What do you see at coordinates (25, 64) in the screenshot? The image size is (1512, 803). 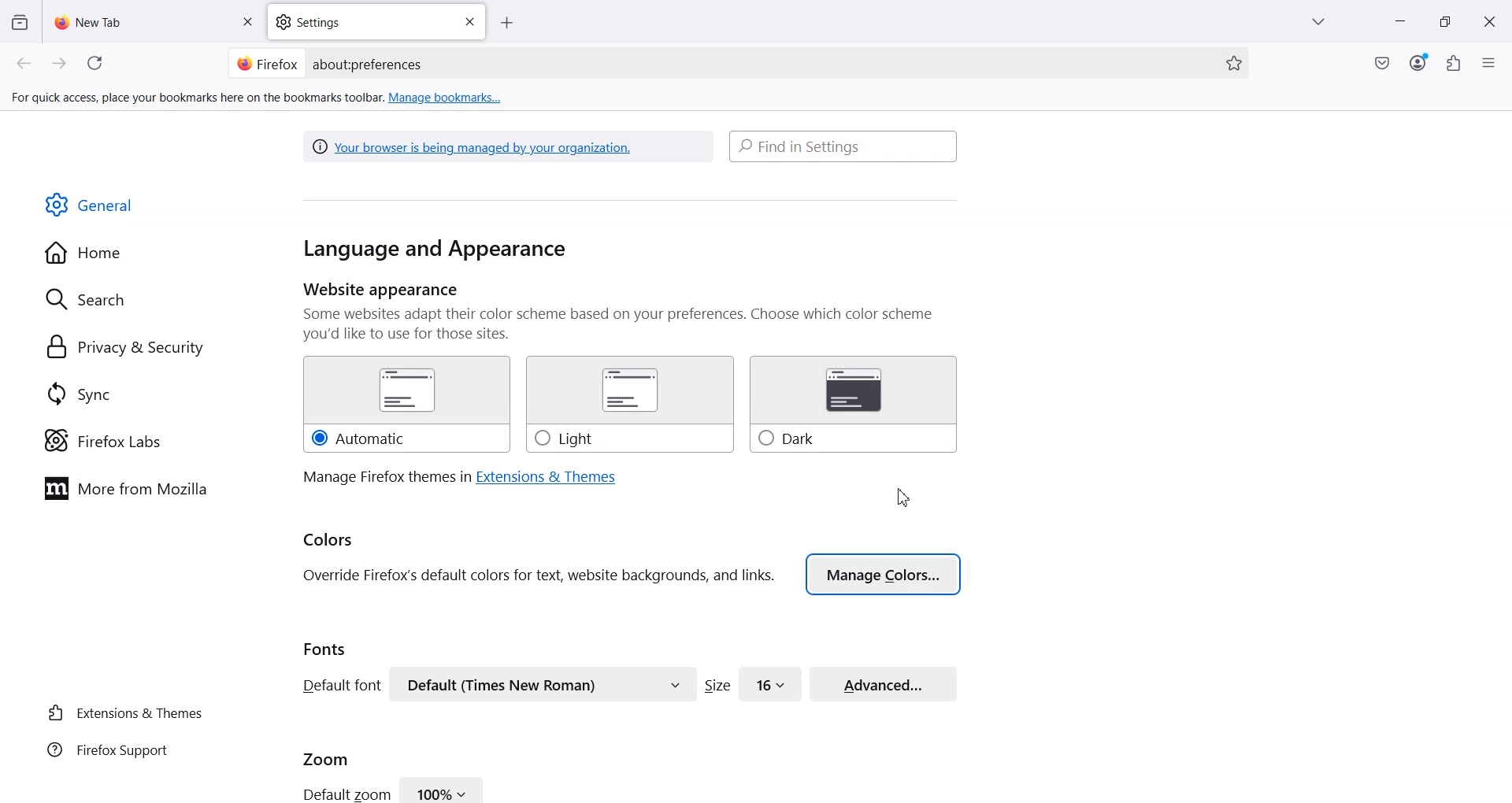 I see `Backward` at bounding box center [25, 64].